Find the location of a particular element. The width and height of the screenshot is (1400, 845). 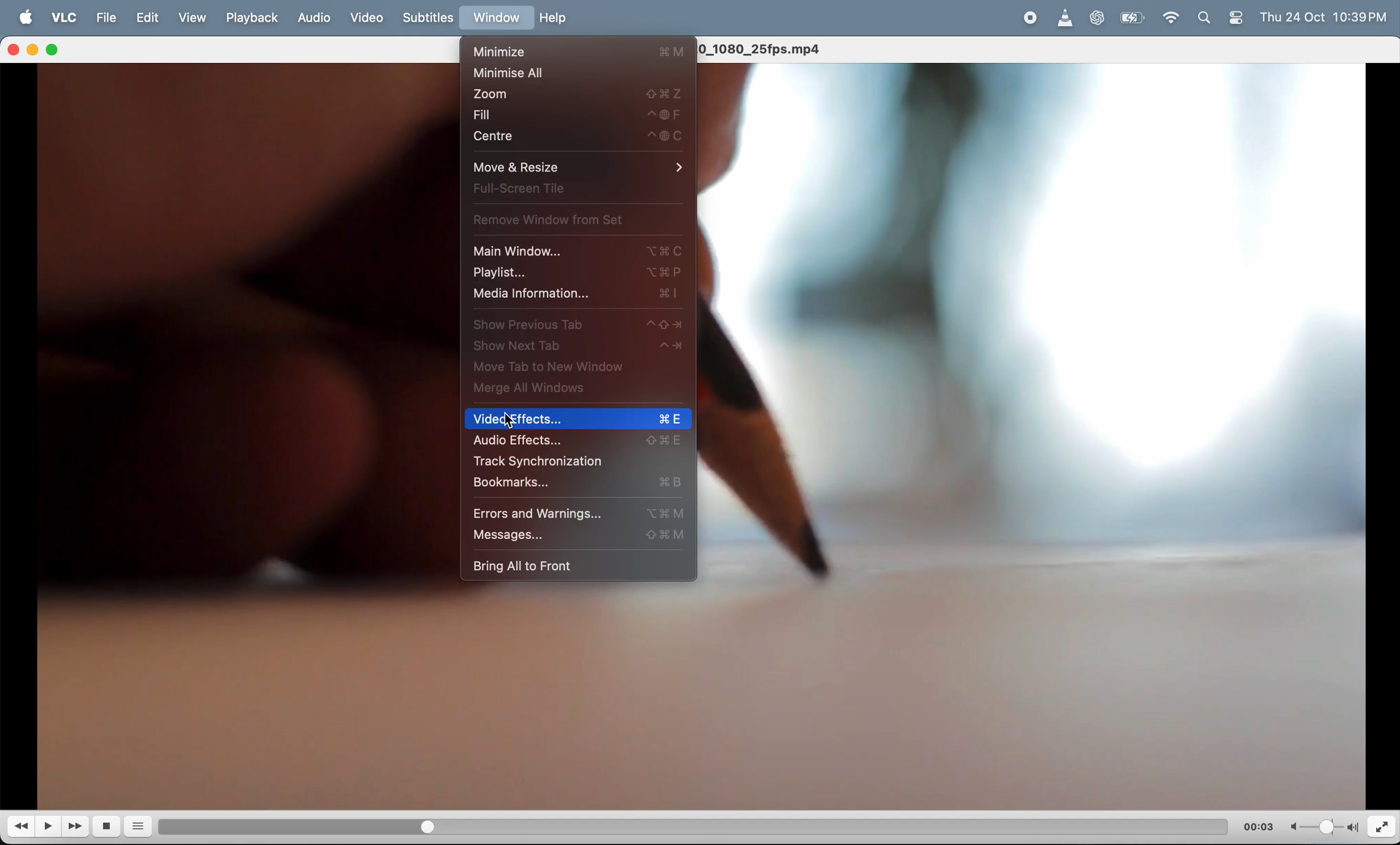

centre is located at coordinates (576, 137).